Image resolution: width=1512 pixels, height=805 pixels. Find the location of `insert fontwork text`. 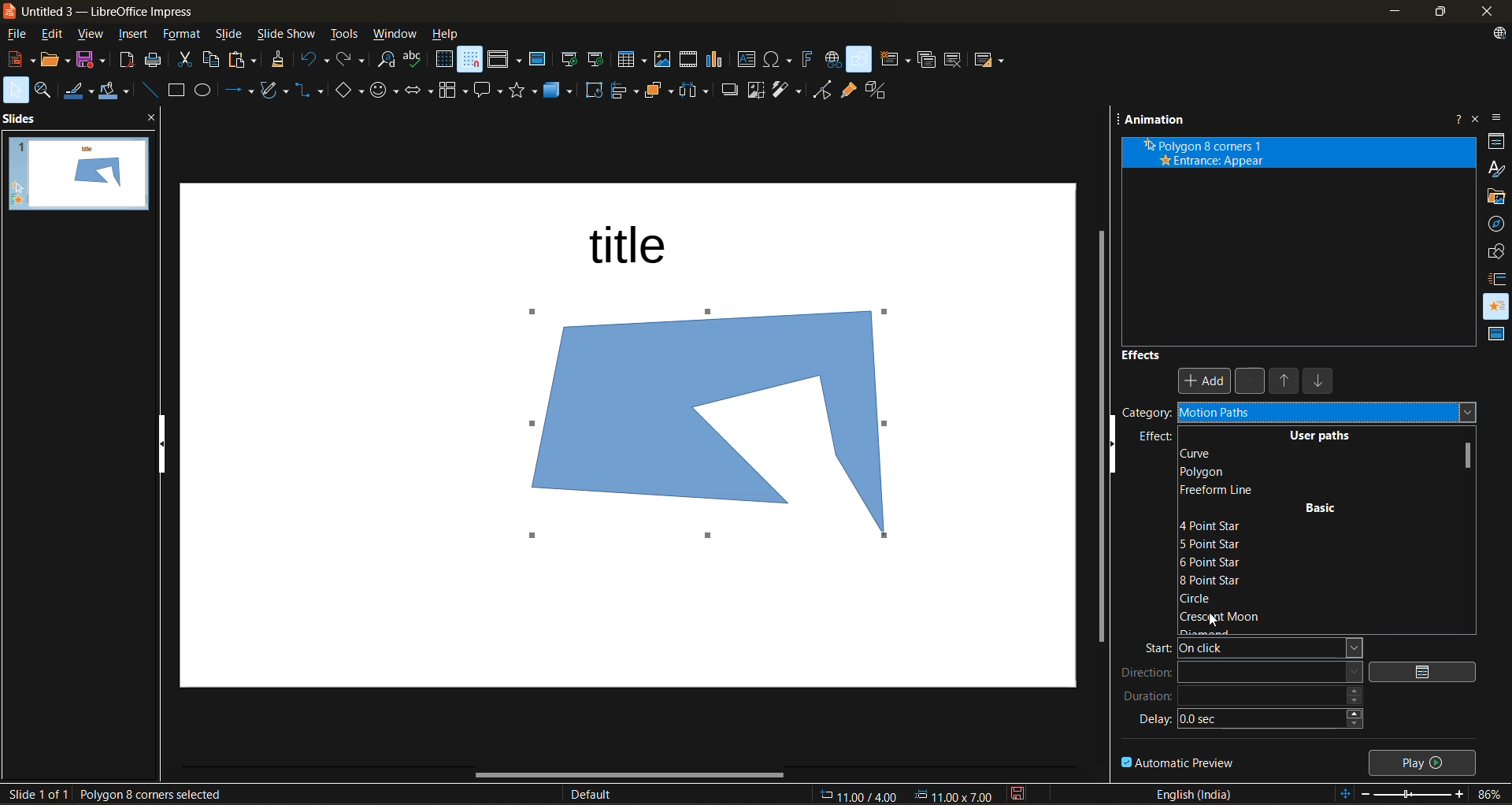

insert fontwork text is located at coordinates (806, 61).